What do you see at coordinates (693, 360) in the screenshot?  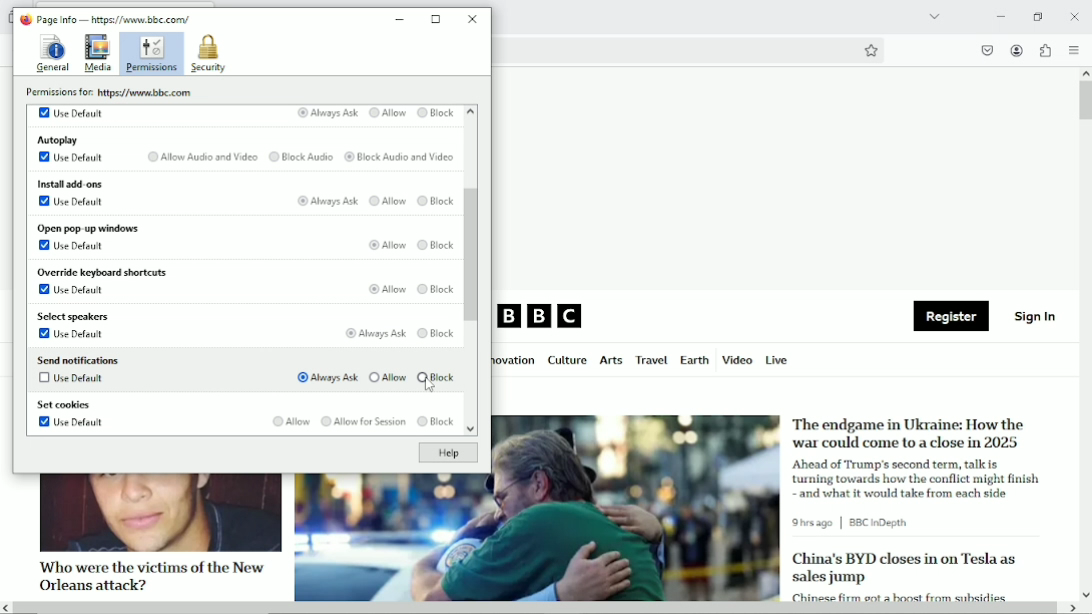 I see `Earth` at bounding box center [693, 360].